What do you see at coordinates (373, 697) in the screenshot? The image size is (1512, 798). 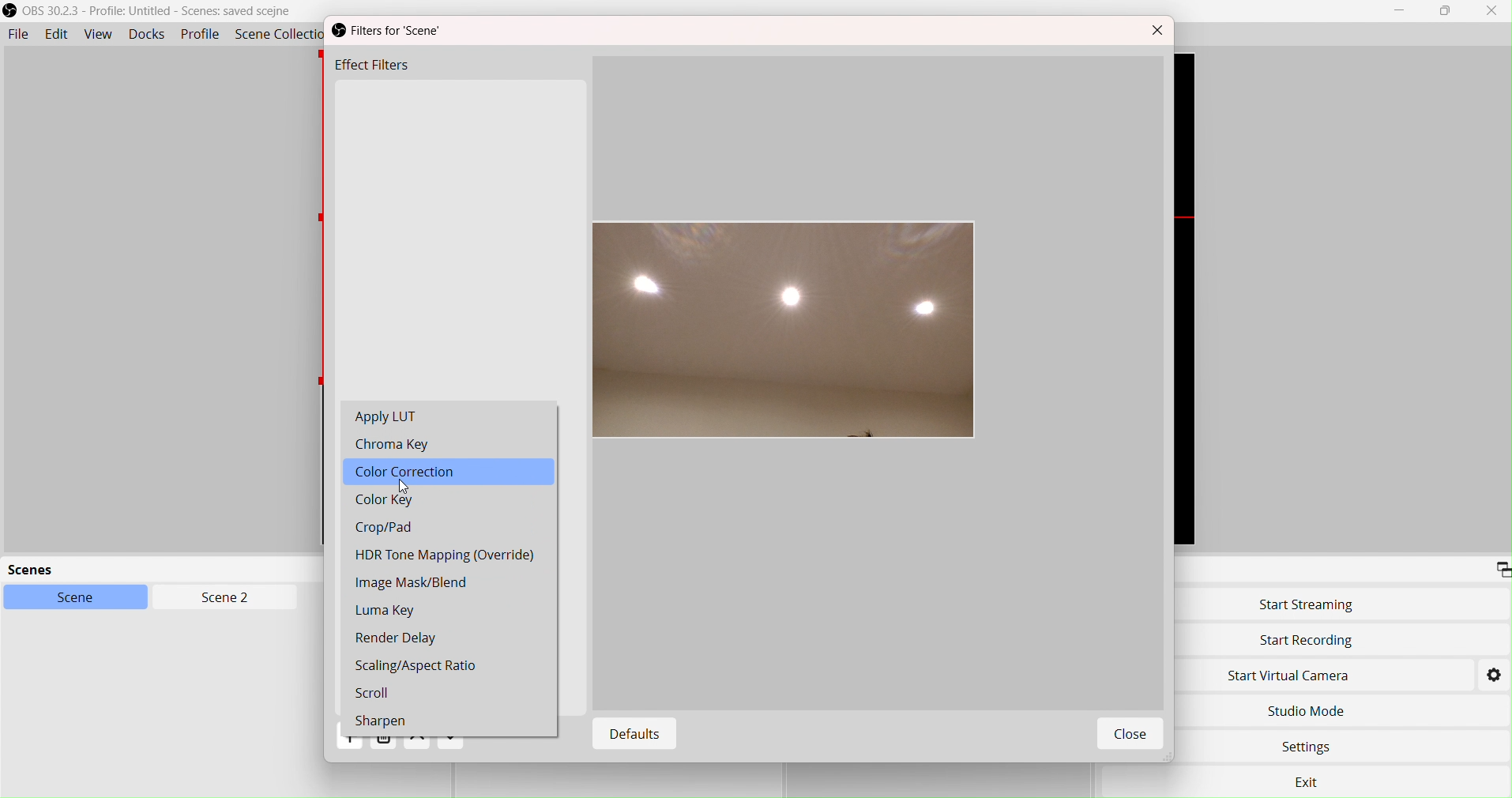 I see `Scroll` at bounding box center [373, 697].